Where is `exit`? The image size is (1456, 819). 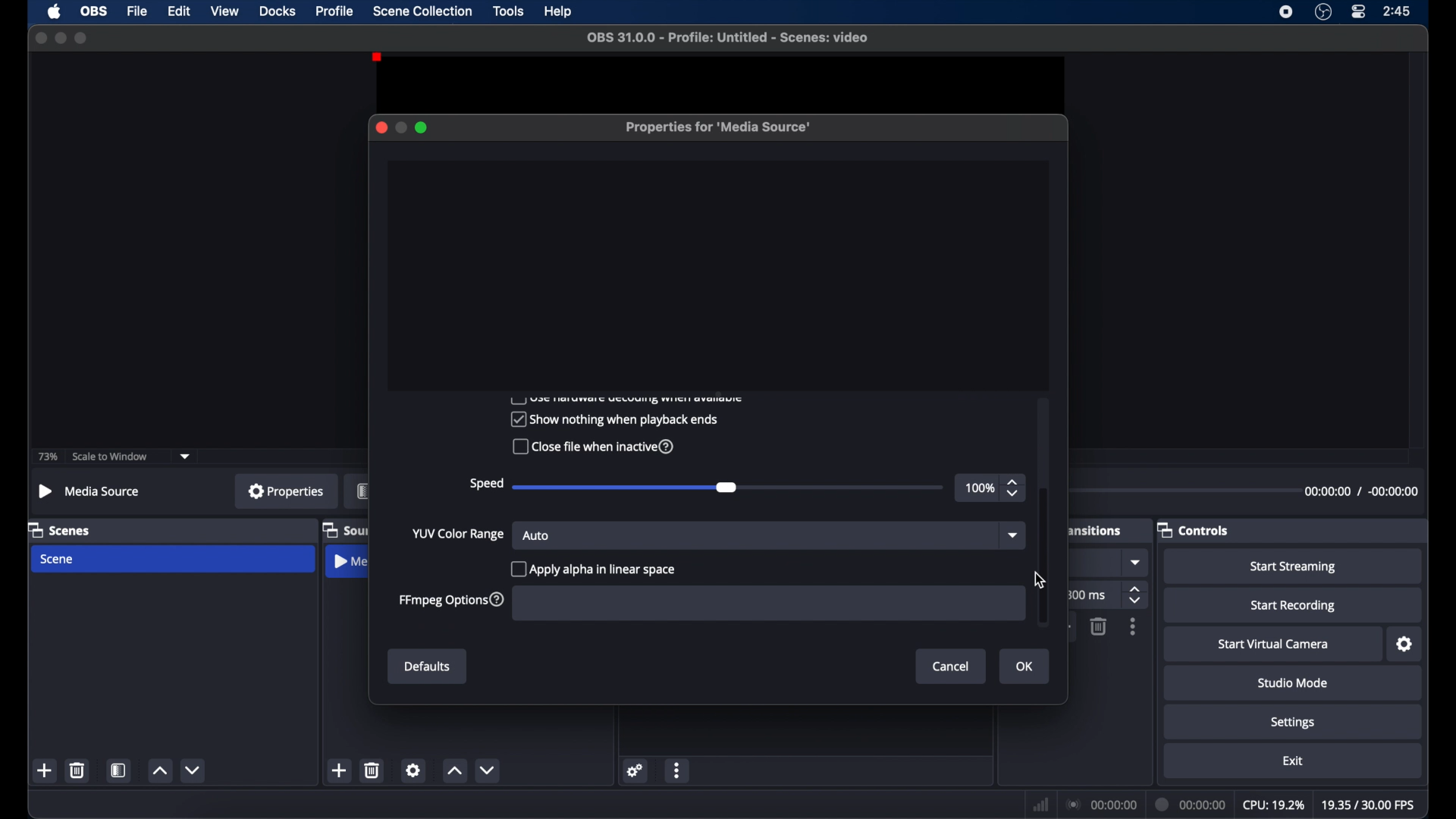 exit is located at coordinates (1293, 761).